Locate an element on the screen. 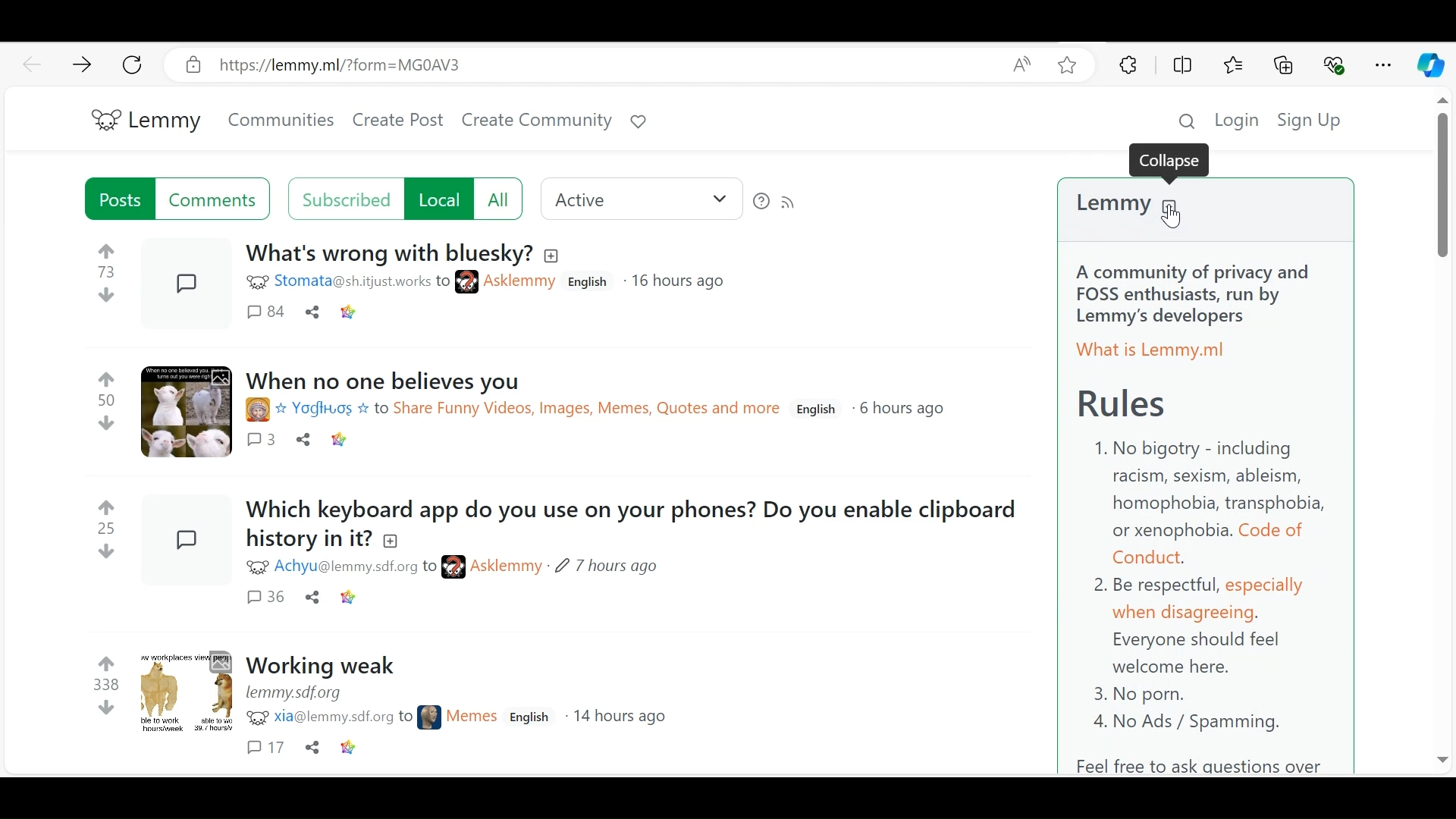   is located at coordinates (265, 748).